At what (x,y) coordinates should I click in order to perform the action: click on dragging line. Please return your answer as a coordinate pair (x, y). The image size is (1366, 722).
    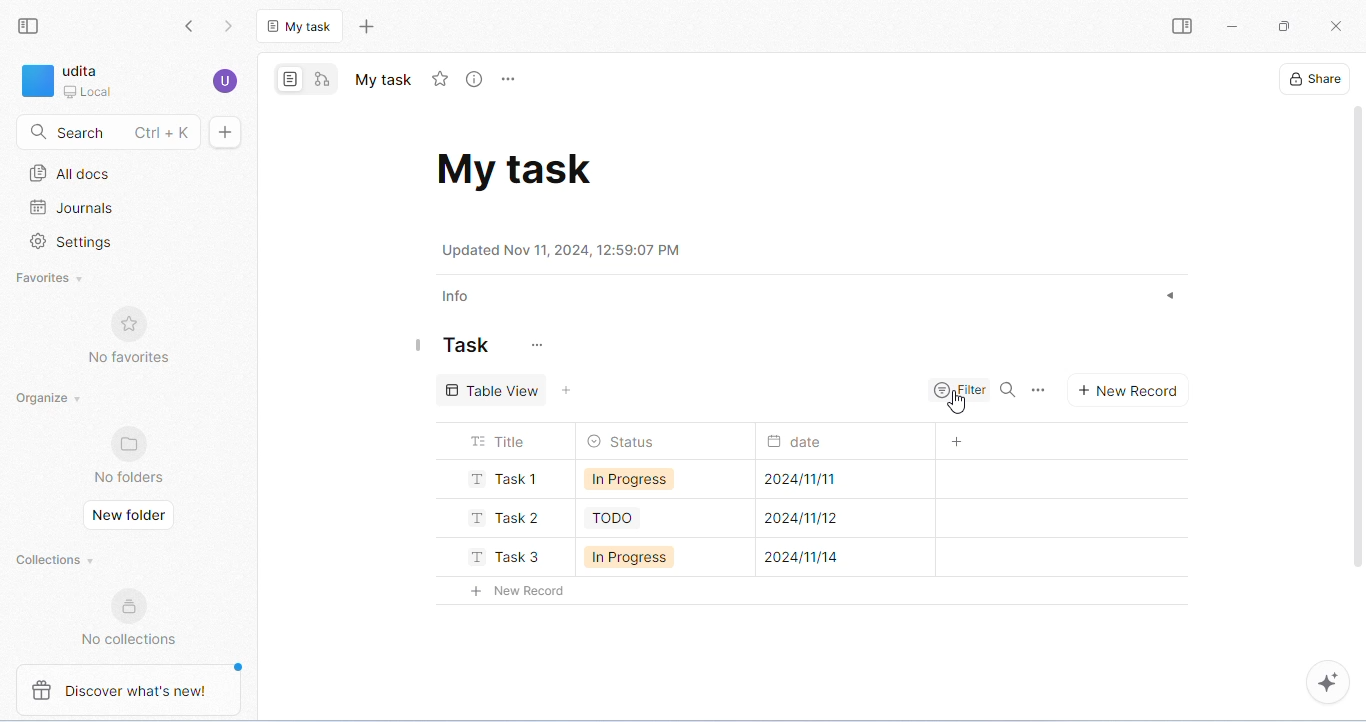
    Looking at the image, I should click on (419, 343).